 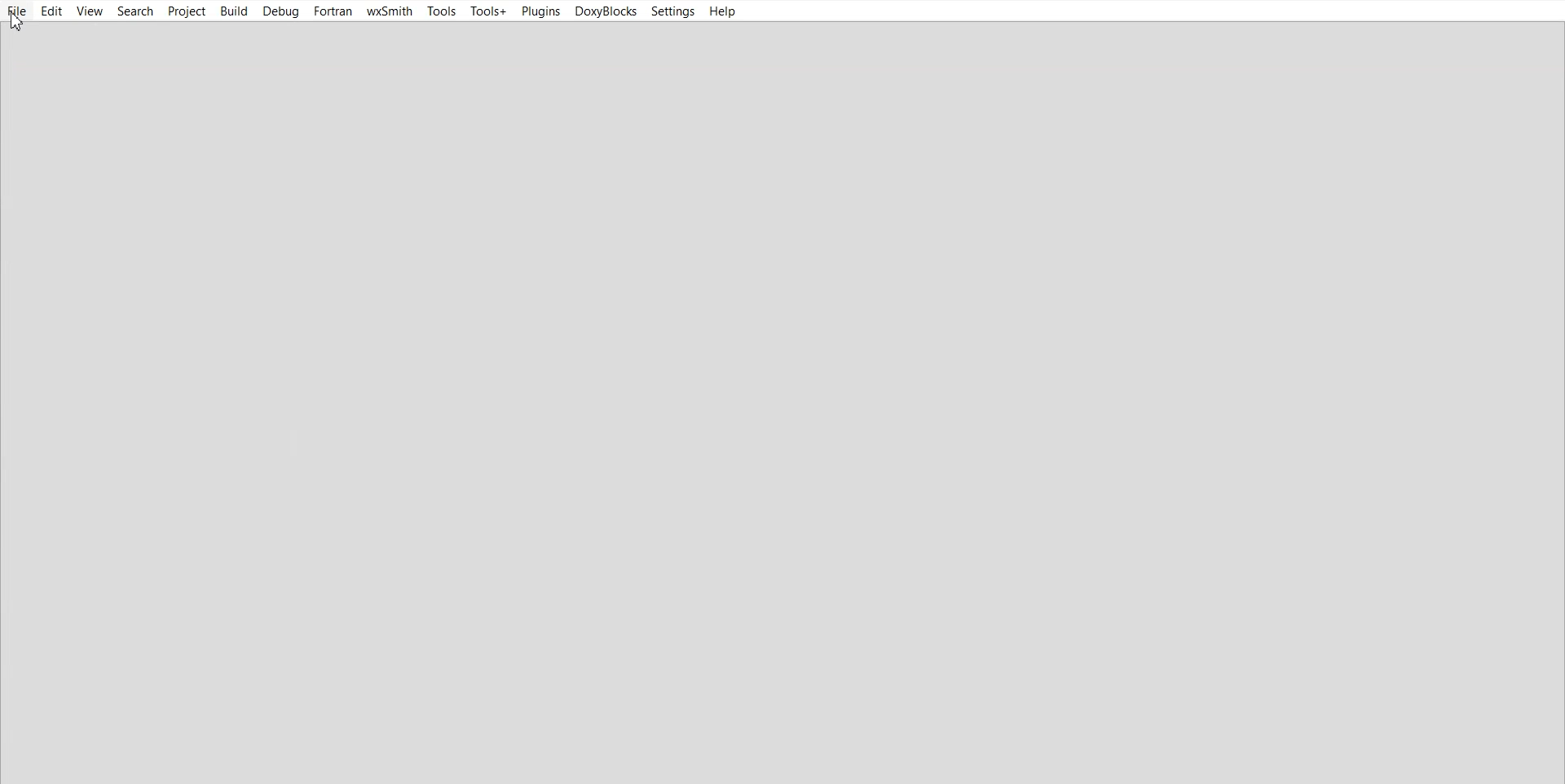 What do you see at coordinates (333, 11) in the screenshot?
I see `Fortran` at bounding box center [333, 11].